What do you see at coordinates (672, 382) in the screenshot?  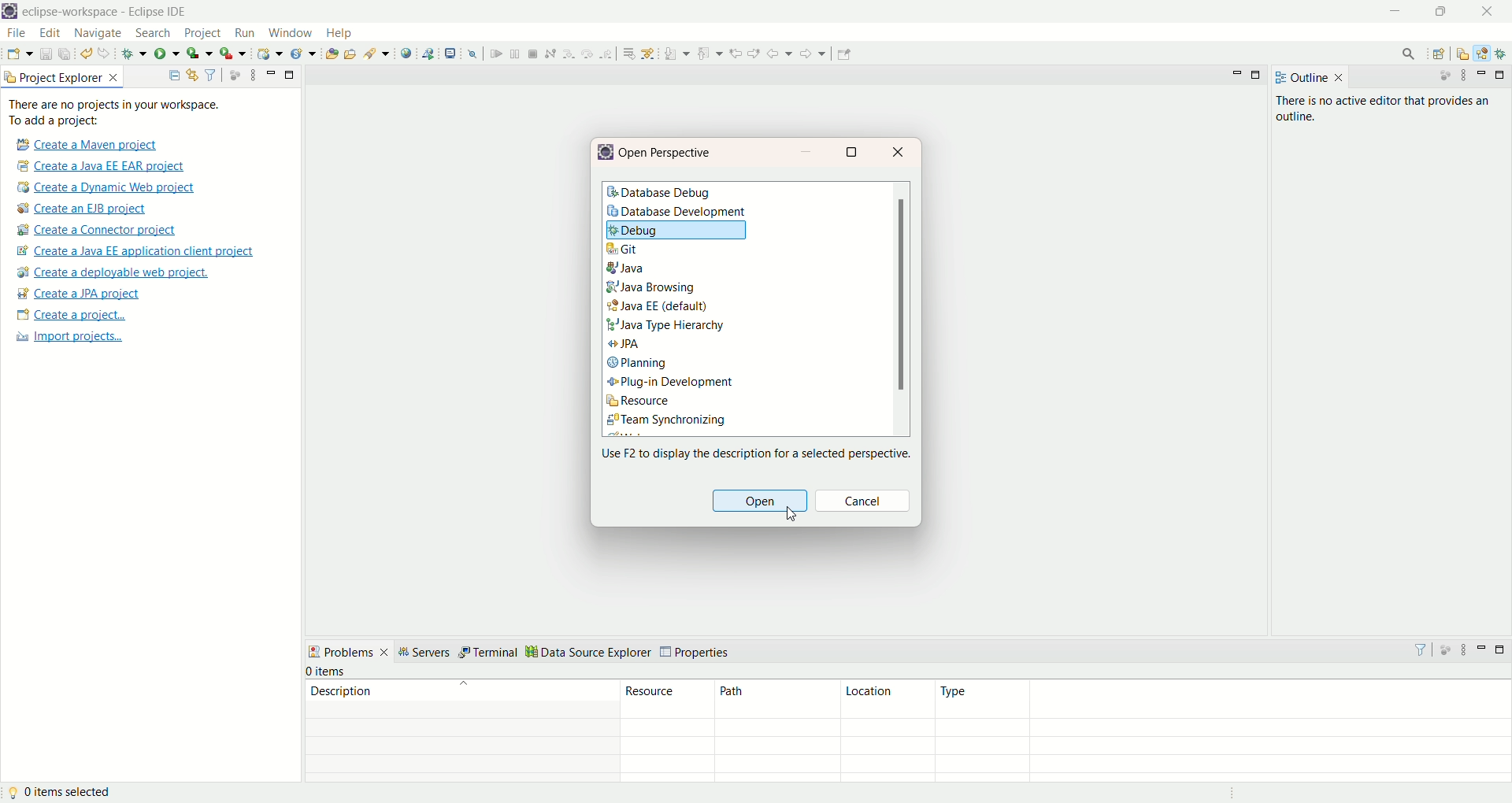 I see `plug-in development` at bounding box center [672, 382].